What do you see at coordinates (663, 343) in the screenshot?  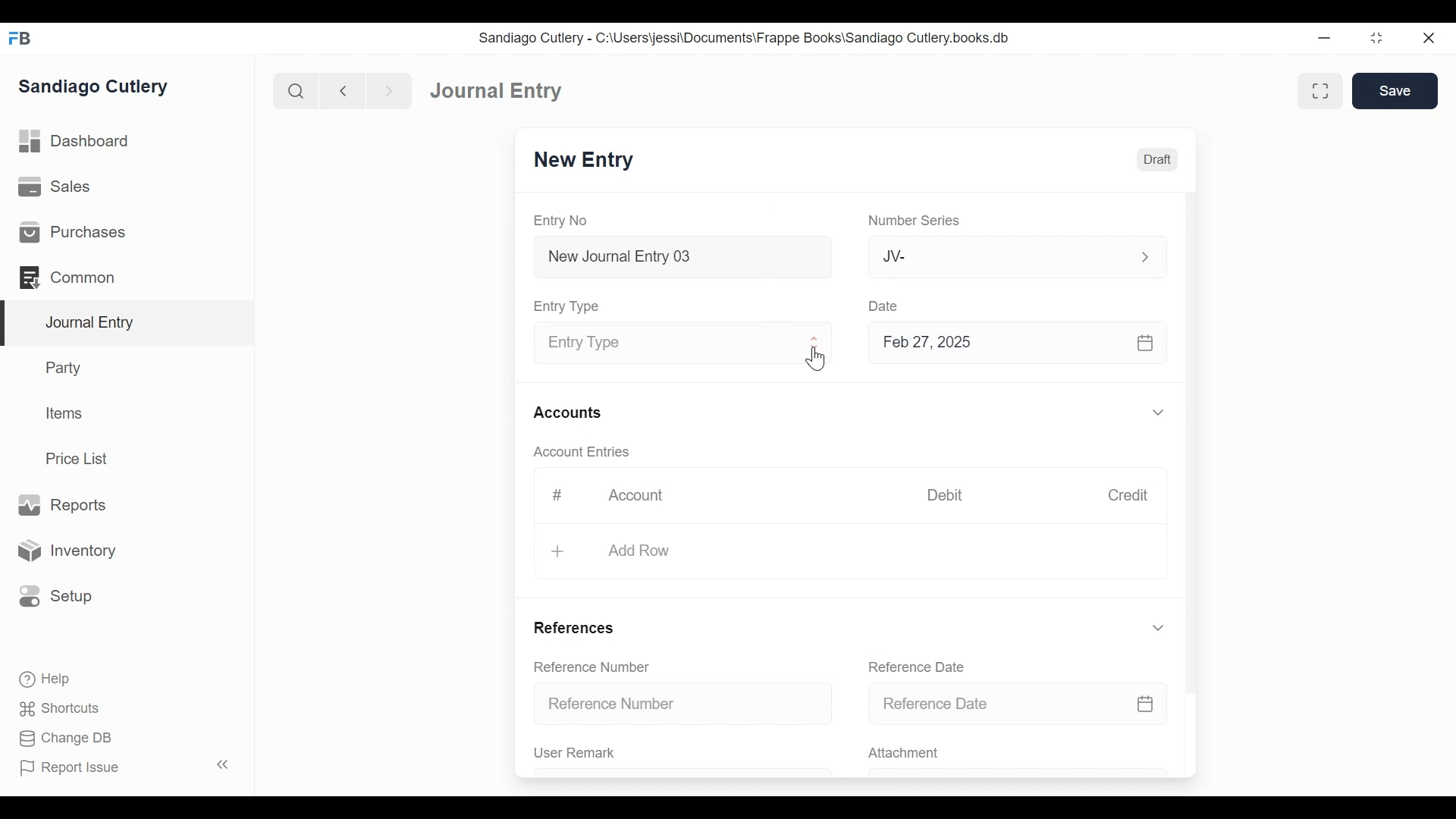 I see `Entry Type` at bounding box center [663, 343].